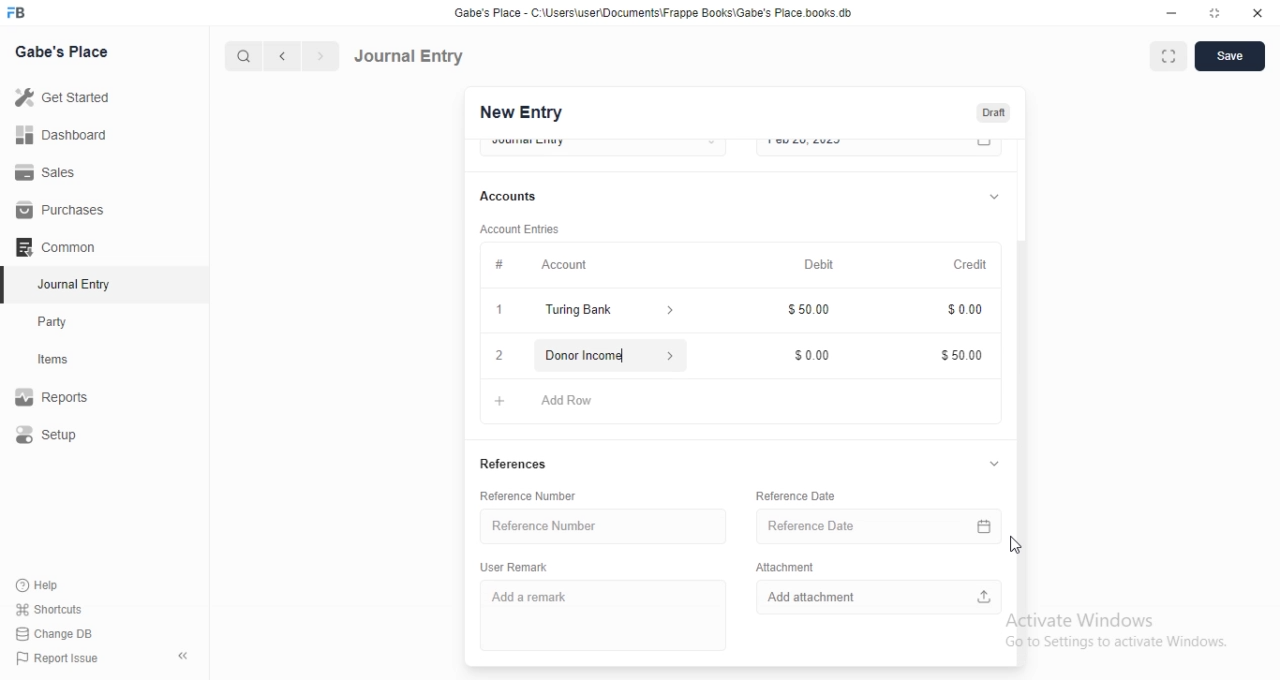 This screenshot has width=1280, height=680. What do you see at coordinates (519, 566) in the screenshot?
I see `User Remark` at bounding box center [519, 566].